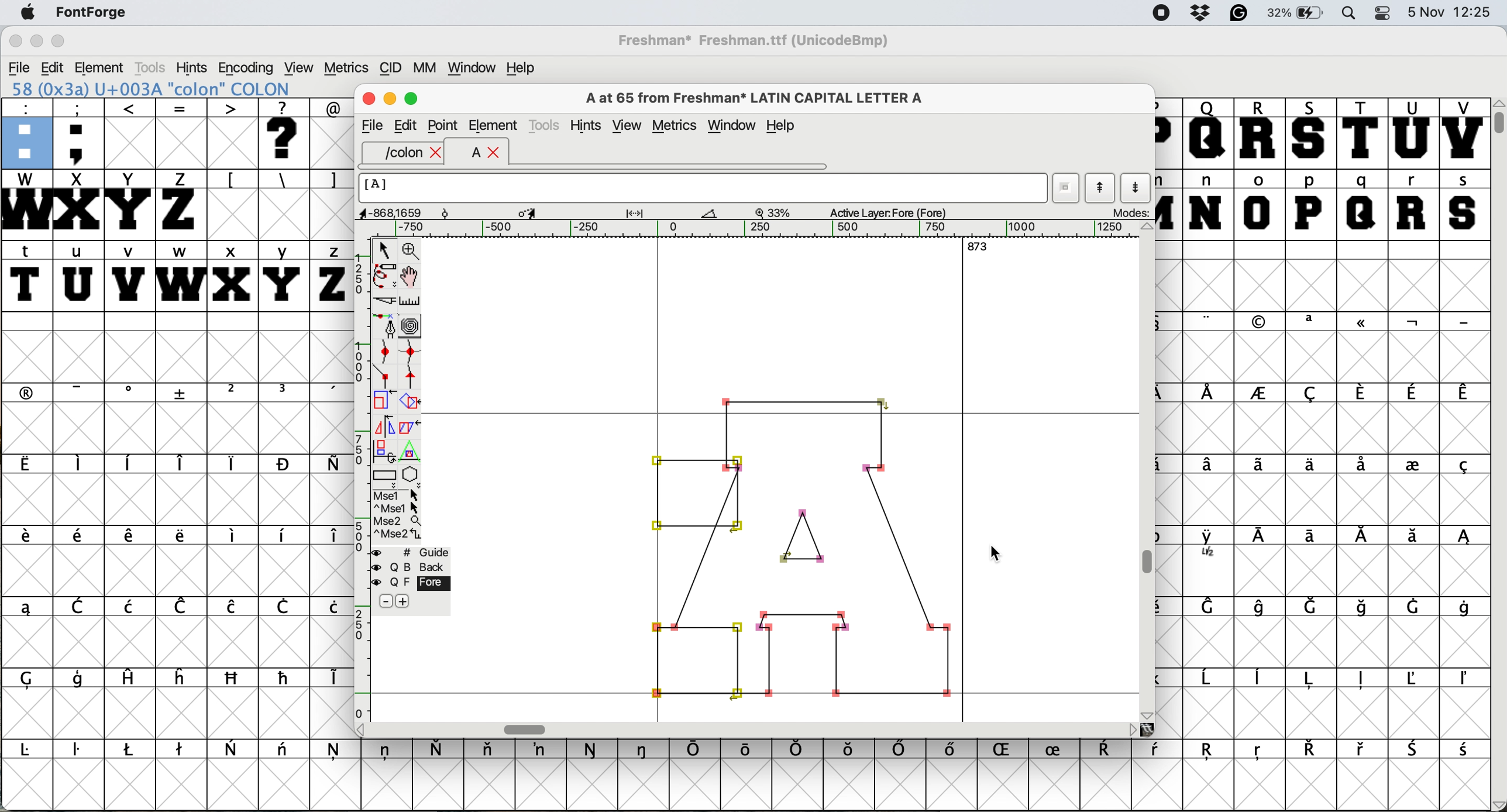  Describe the element at coordinates (330, 538) in the screenshot. I see `symbol` at that location.